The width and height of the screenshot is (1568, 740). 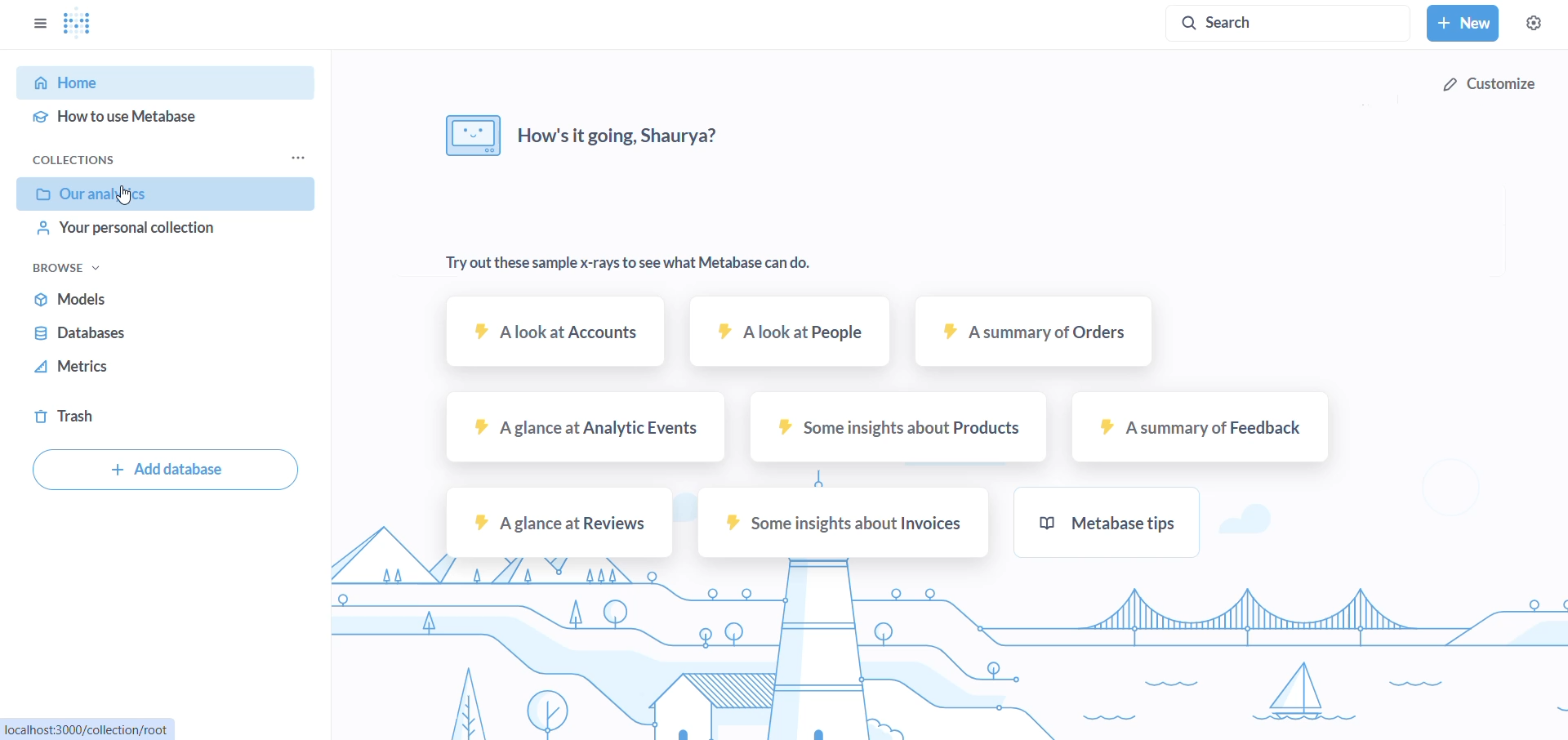 I want to click on new button, so click(x=1462, y=23).